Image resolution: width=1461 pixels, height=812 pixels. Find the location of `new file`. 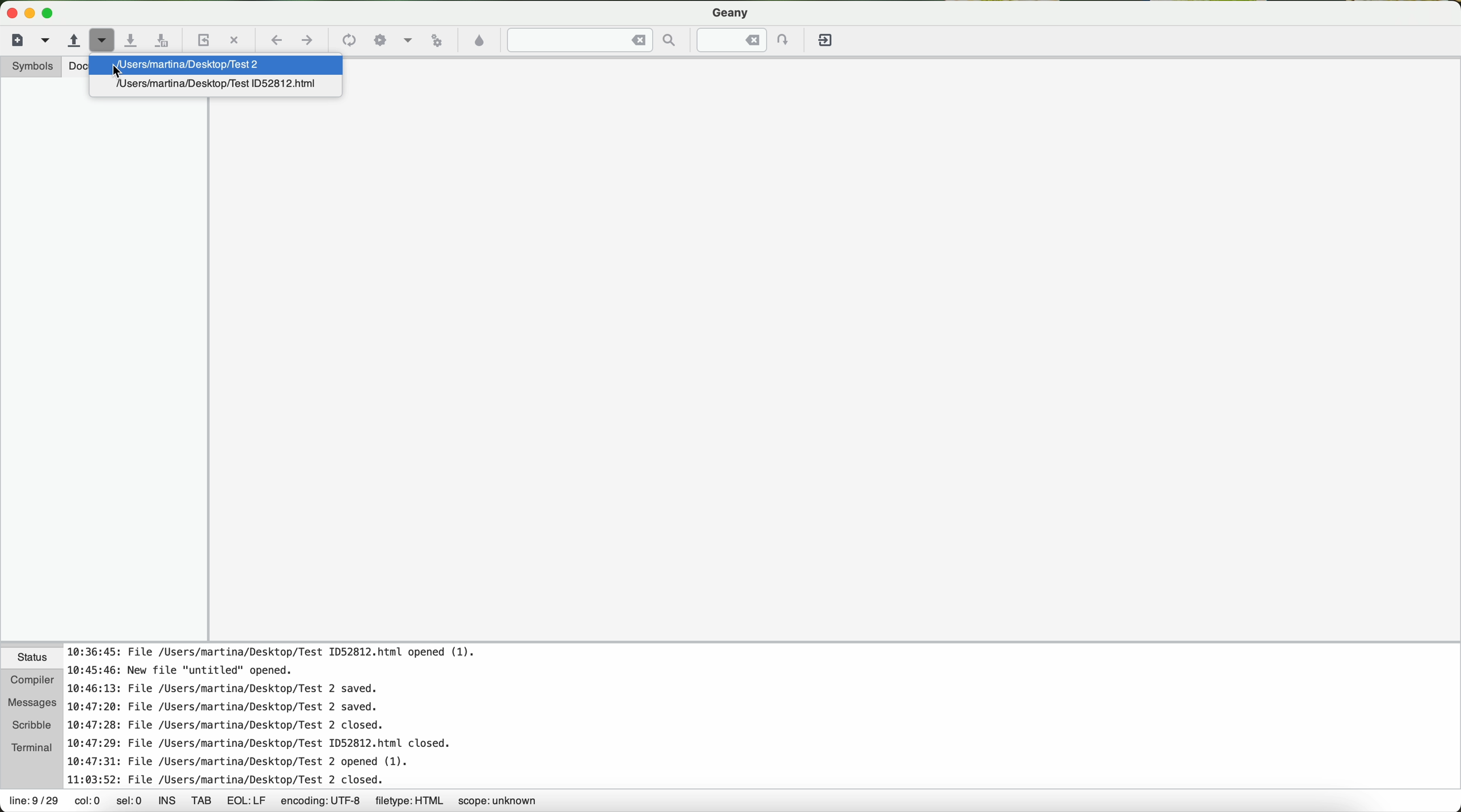

new file is located at coordinates (24, 40).